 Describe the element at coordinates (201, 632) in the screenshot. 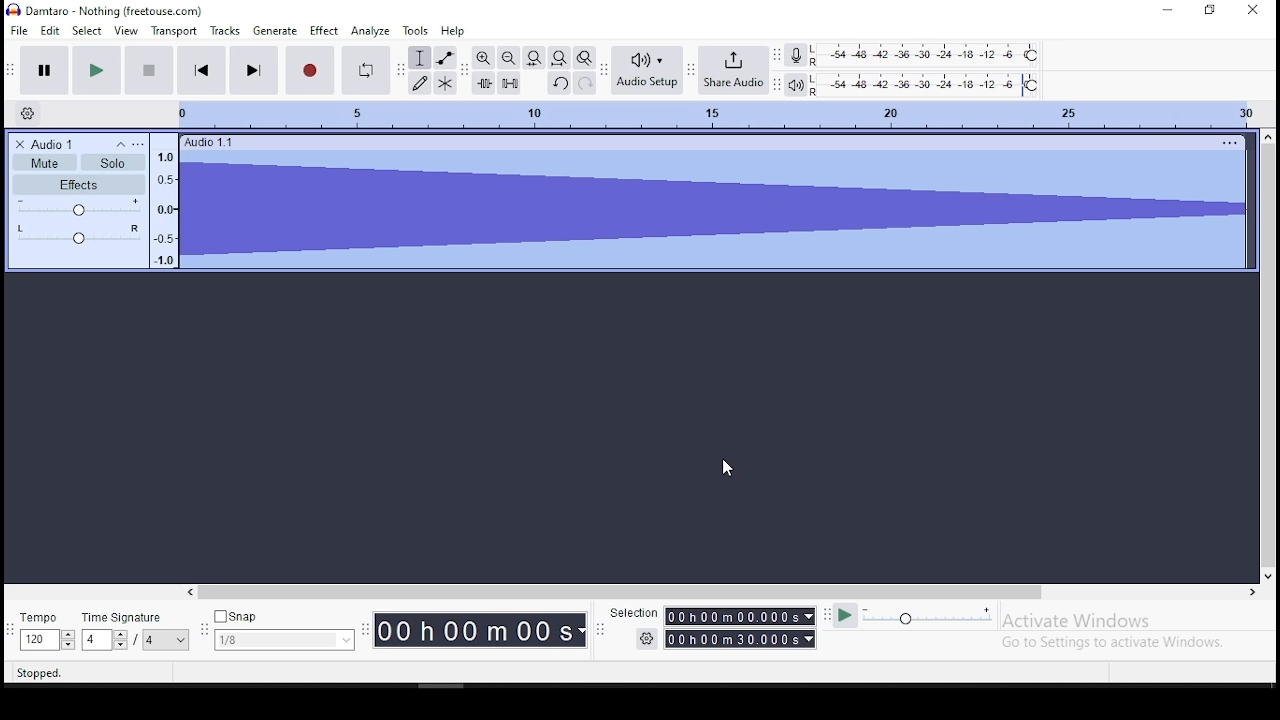

I see `show menus` at that location.